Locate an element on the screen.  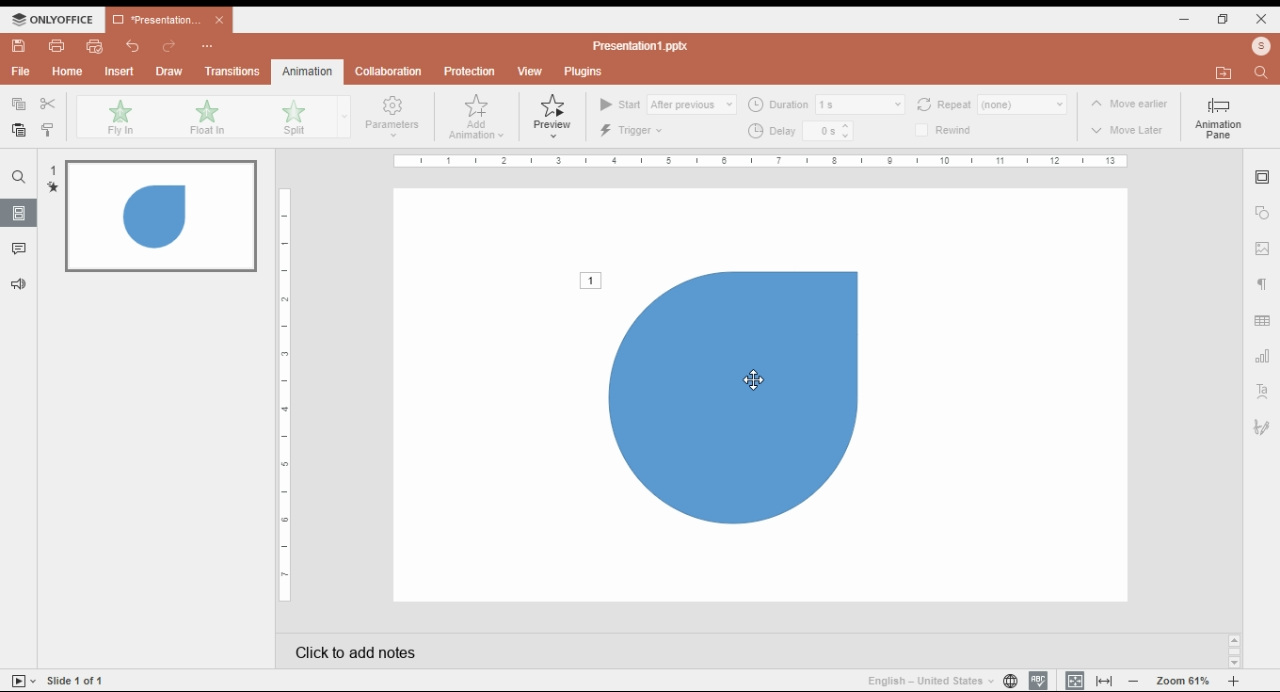
animation pane is located at coordinates (1217, 118).